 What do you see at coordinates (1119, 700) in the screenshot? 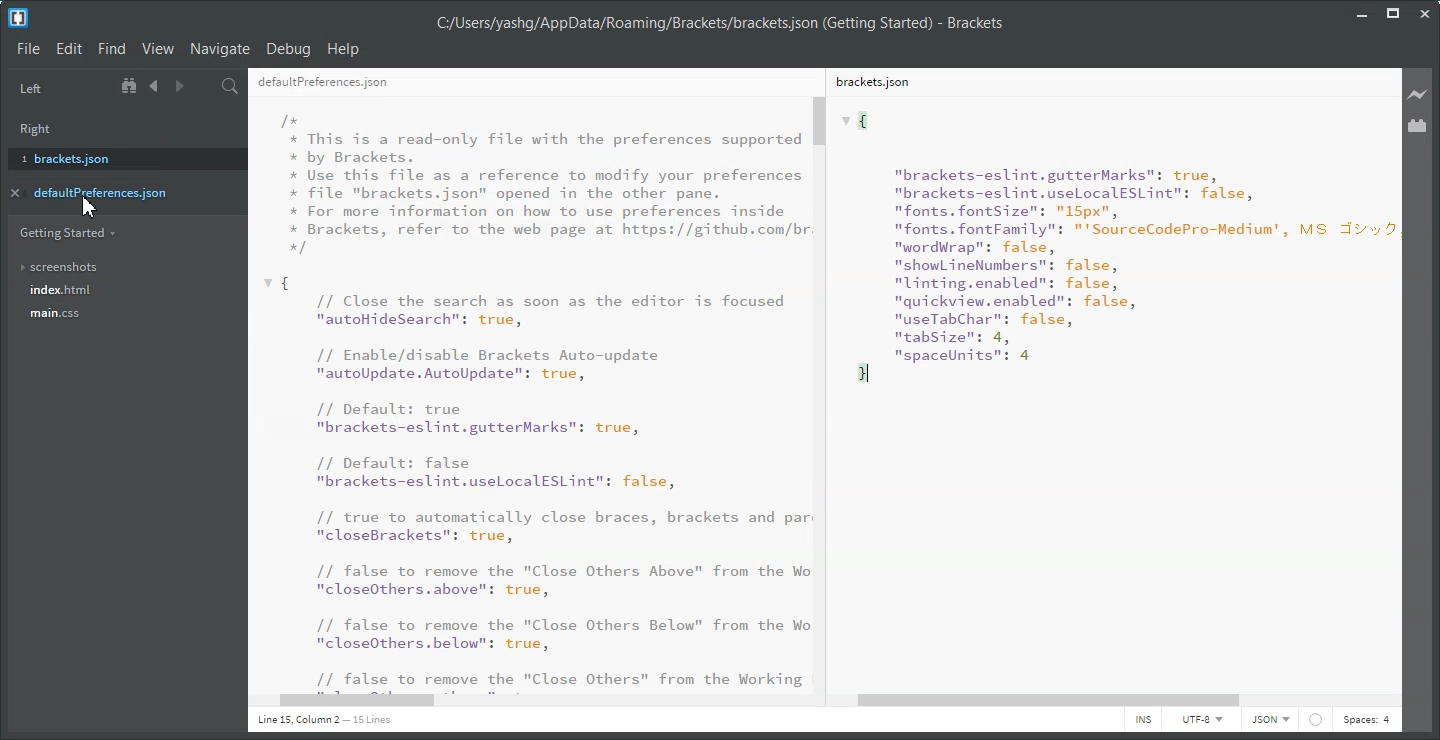
I see `Horizontal Scroll Bar` at bounding box center [1119, 700].